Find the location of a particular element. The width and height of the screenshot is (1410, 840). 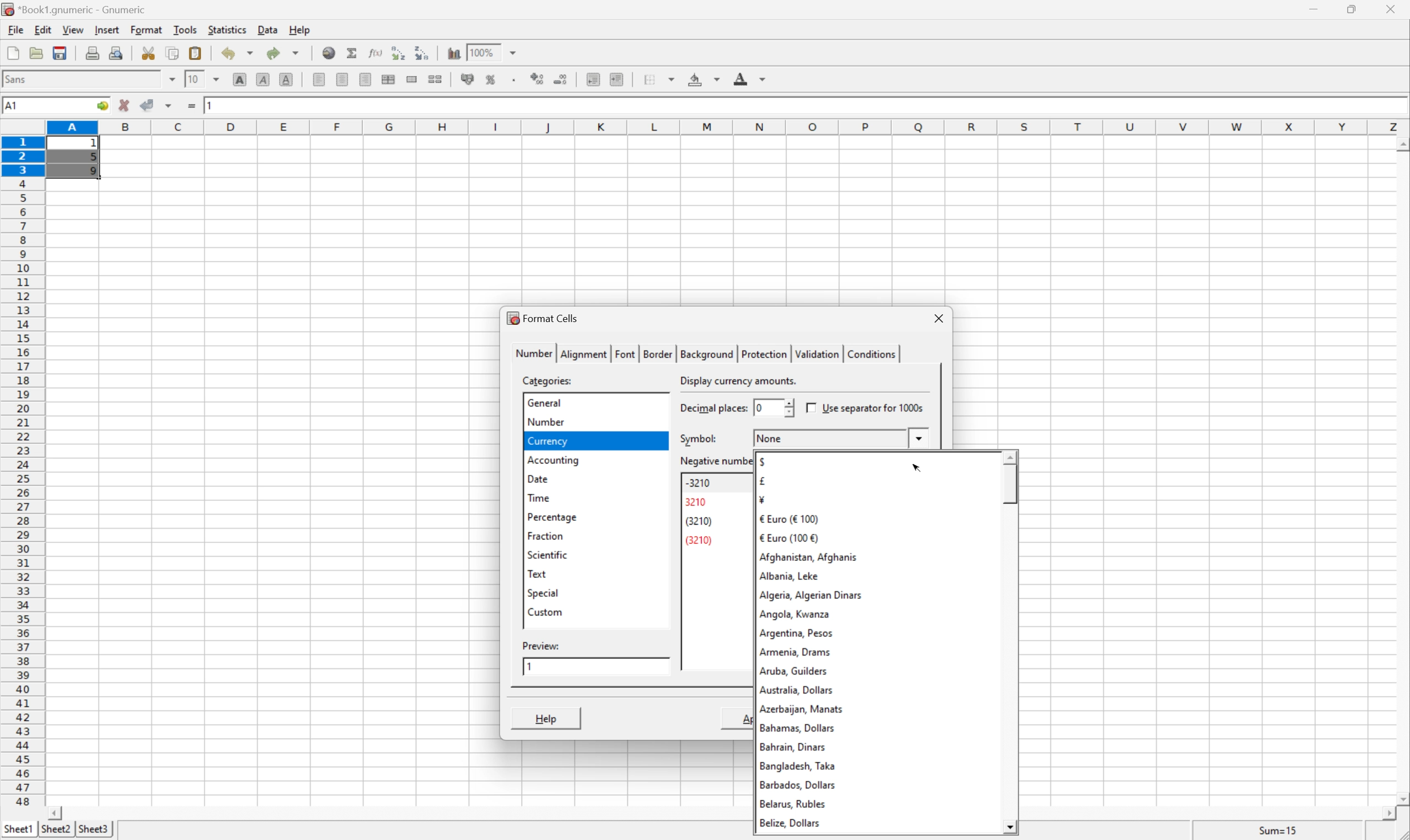

none is located at coordinates (773, 437).